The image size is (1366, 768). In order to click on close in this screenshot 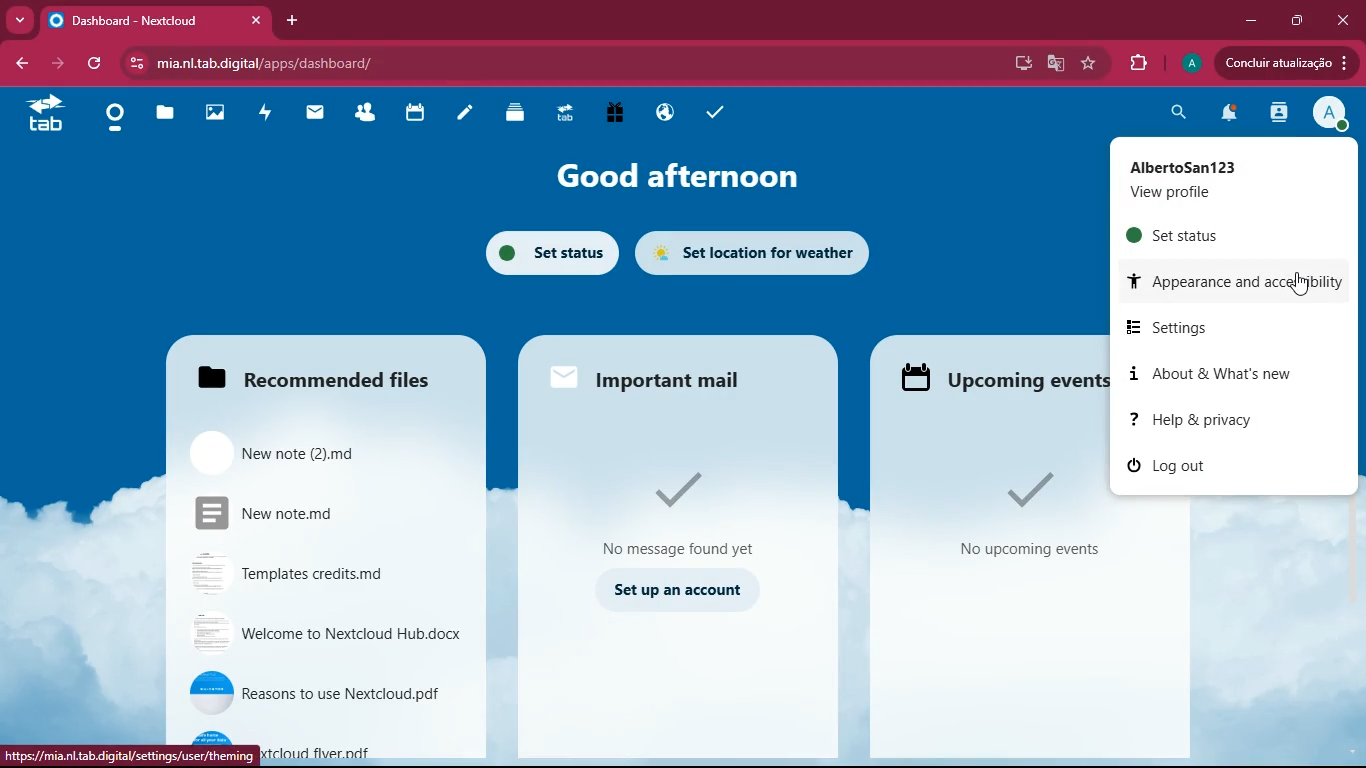, I will do `click(1343, 20)`.